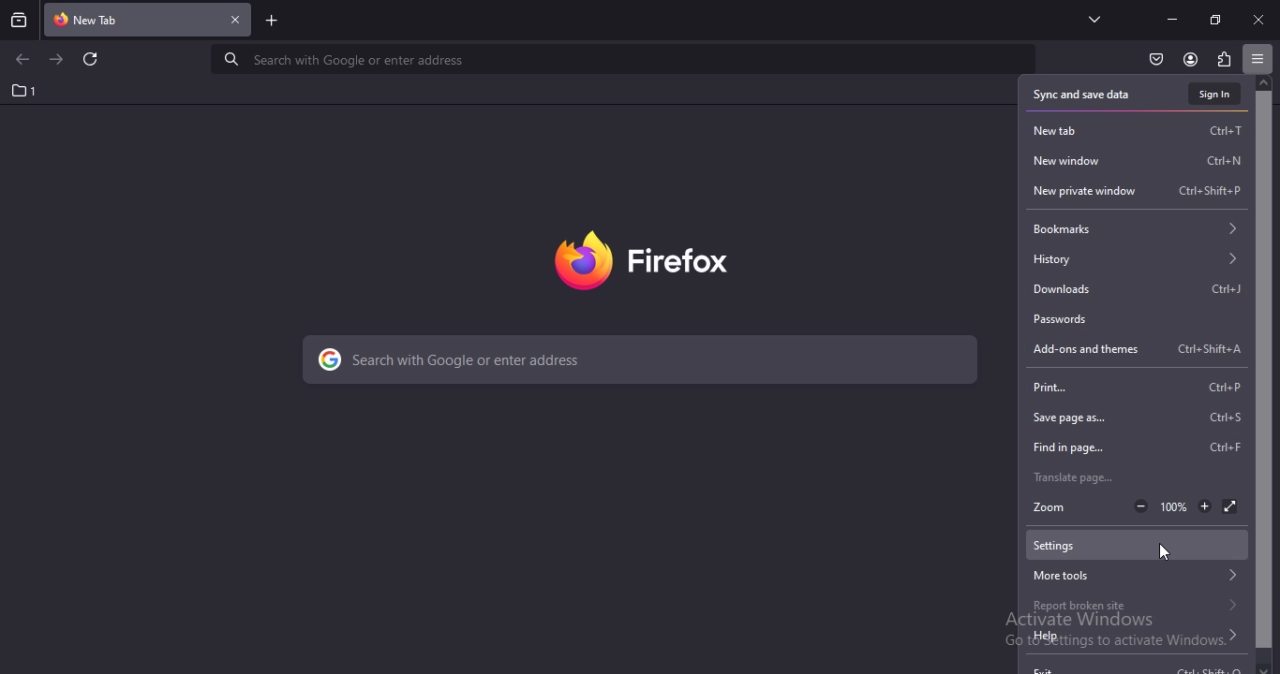 The width and height of the screenshot is (1280, 674). I want to click on display window in full screen, so click(1232, 506).